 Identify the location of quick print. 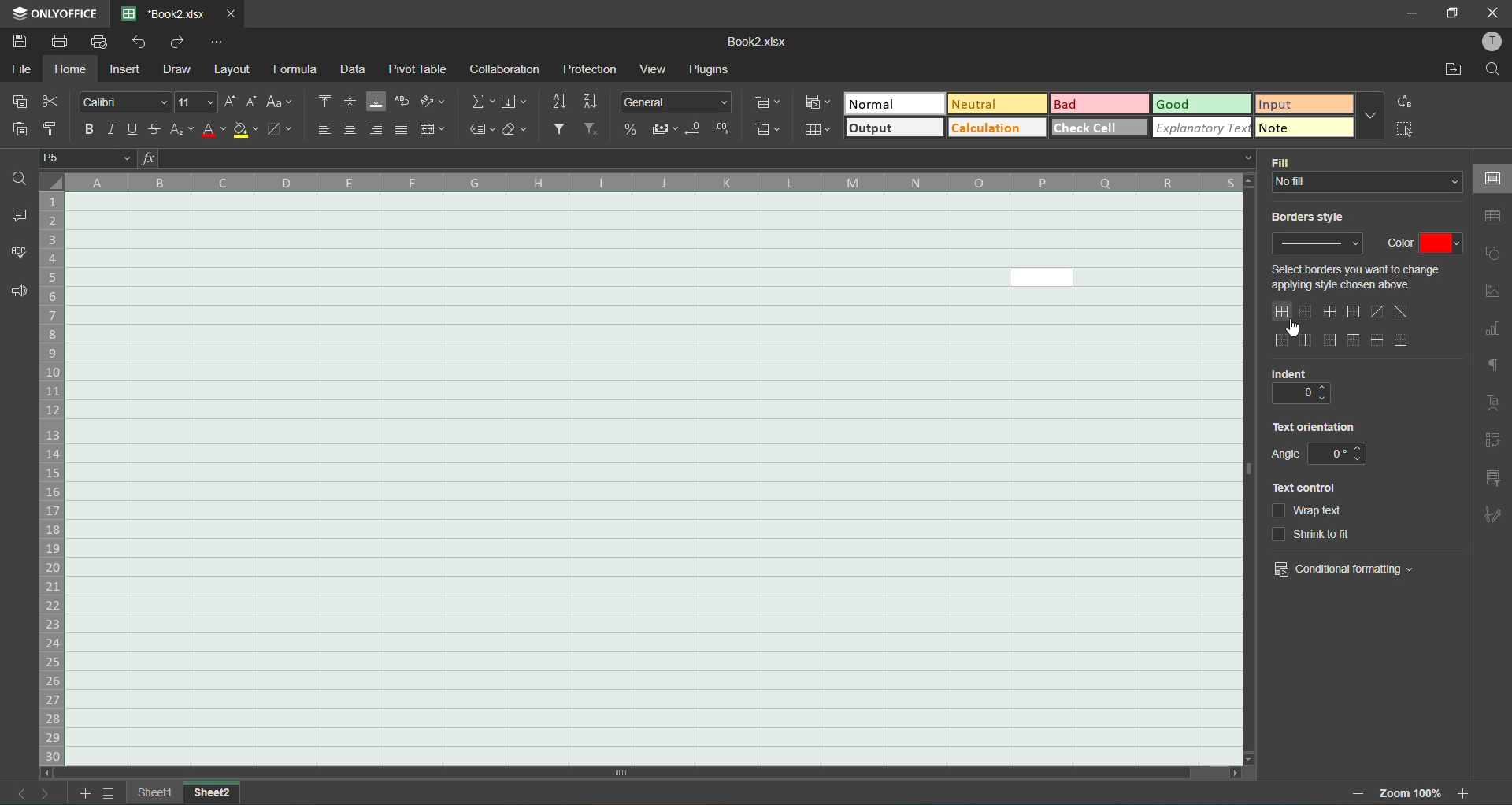
(98, 43).